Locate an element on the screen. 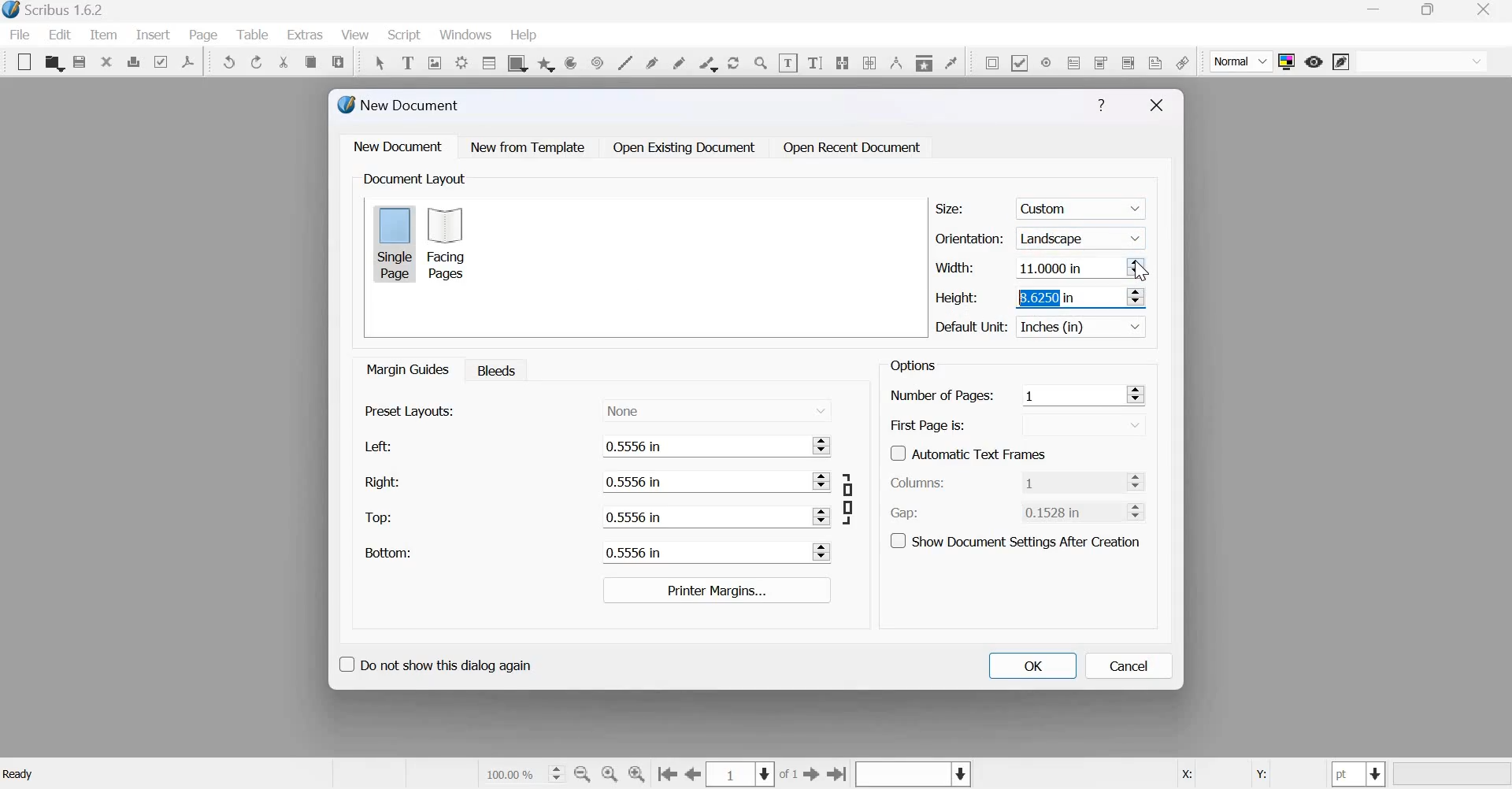 The width and height of the screenshot is (1512, 789). zoom in by the stepping value in Tools preferences is located at coordinates (638, 774).